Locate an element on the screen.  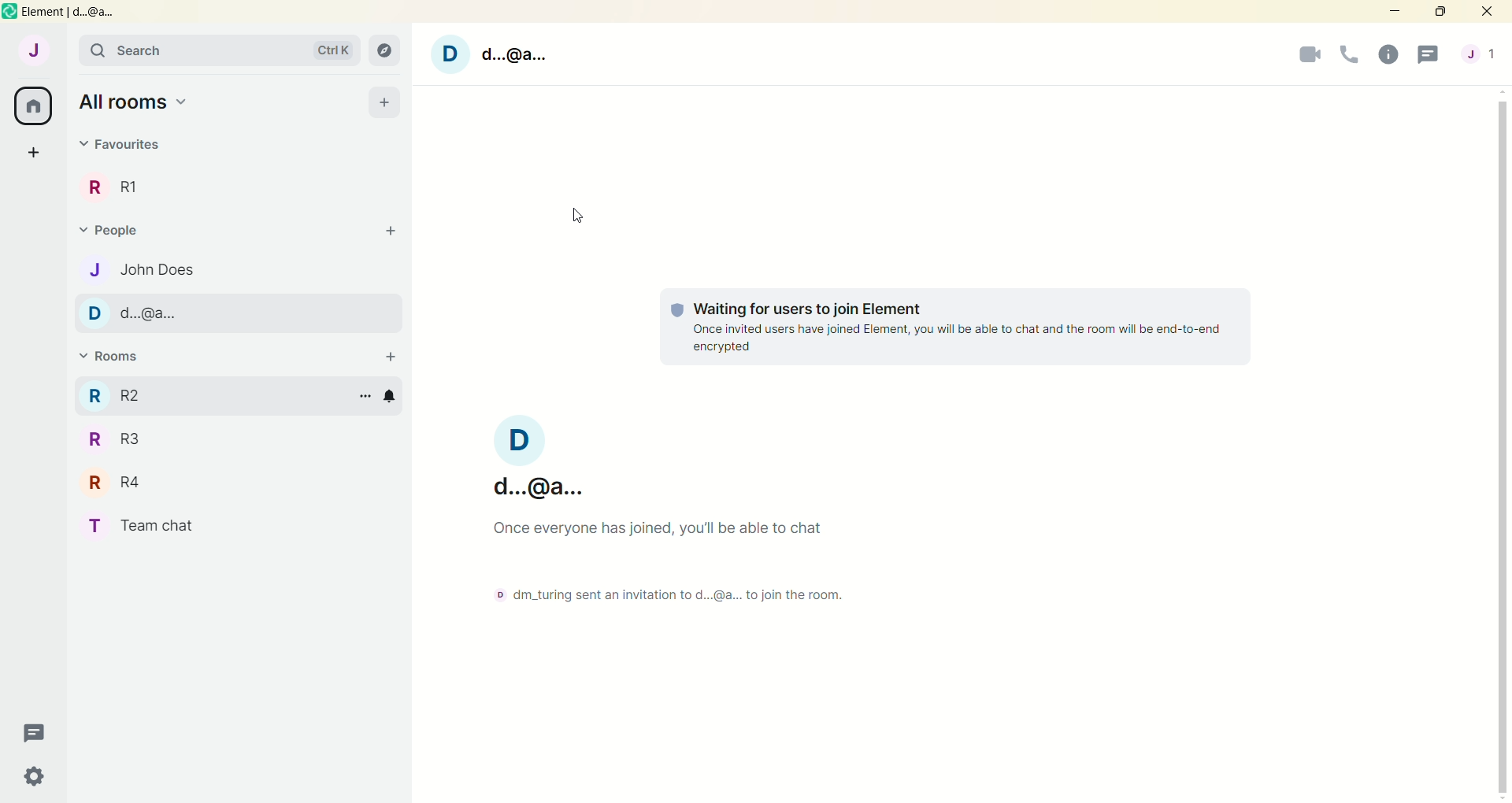
People is located at coordinates (129, 231).